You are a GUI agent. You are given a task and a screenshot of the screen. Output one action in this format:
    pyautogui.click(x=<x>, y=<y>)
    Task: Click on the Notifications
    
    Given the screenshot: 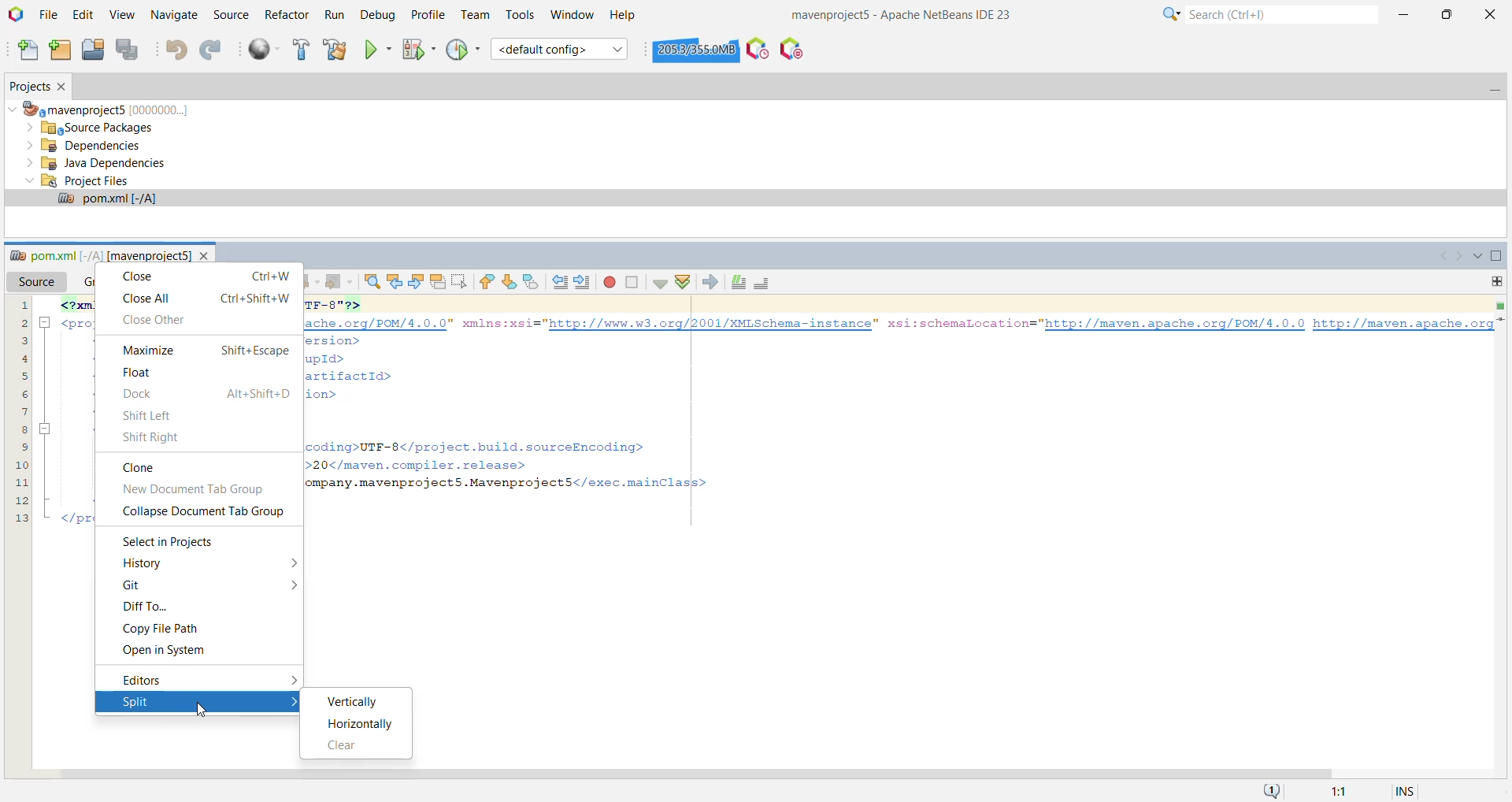 What is the action you would take?
    pyautogui.click(x=1269, y=790)
    